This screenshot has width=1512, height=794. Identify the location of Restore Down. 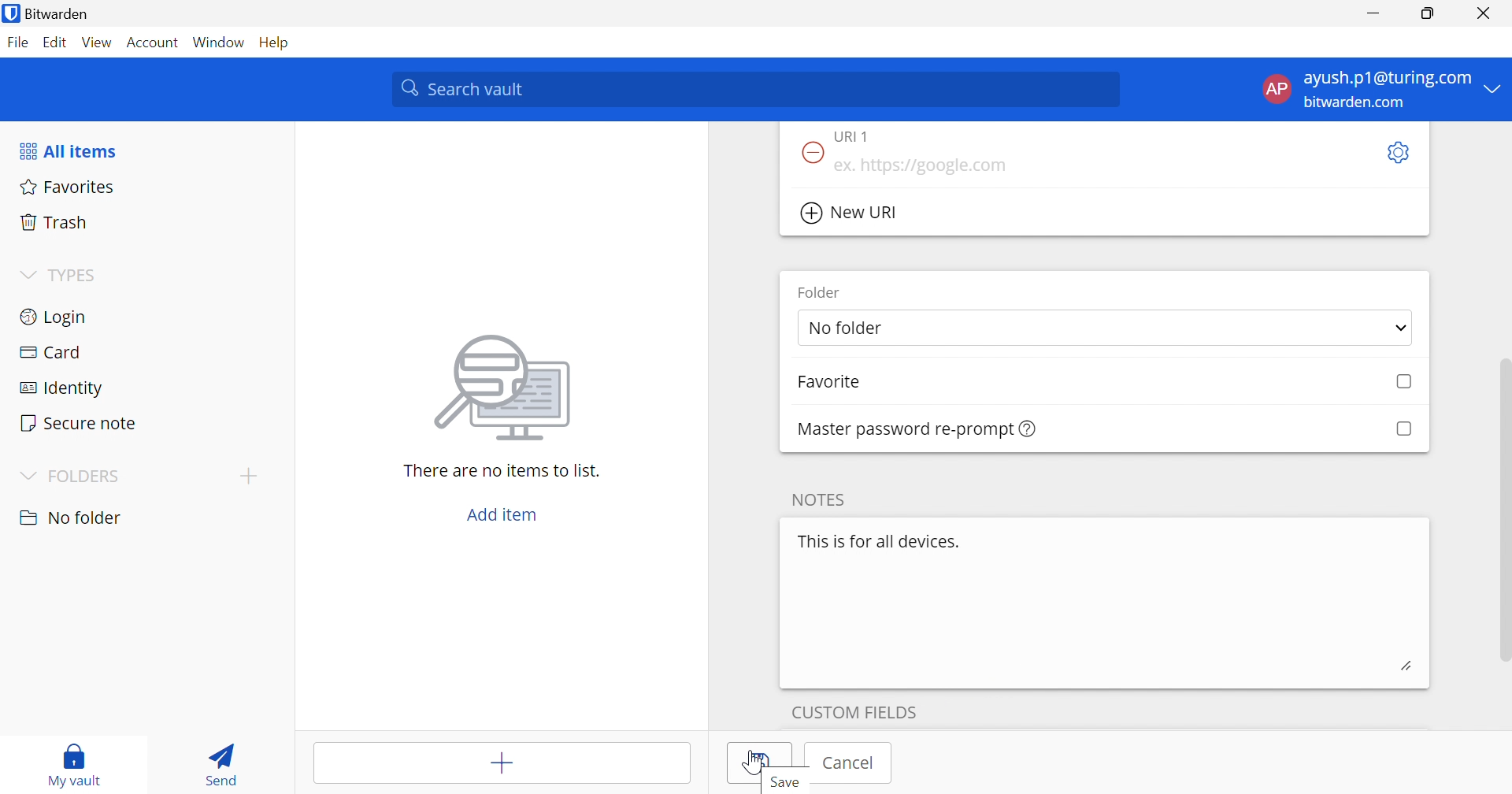
(1429, 13).